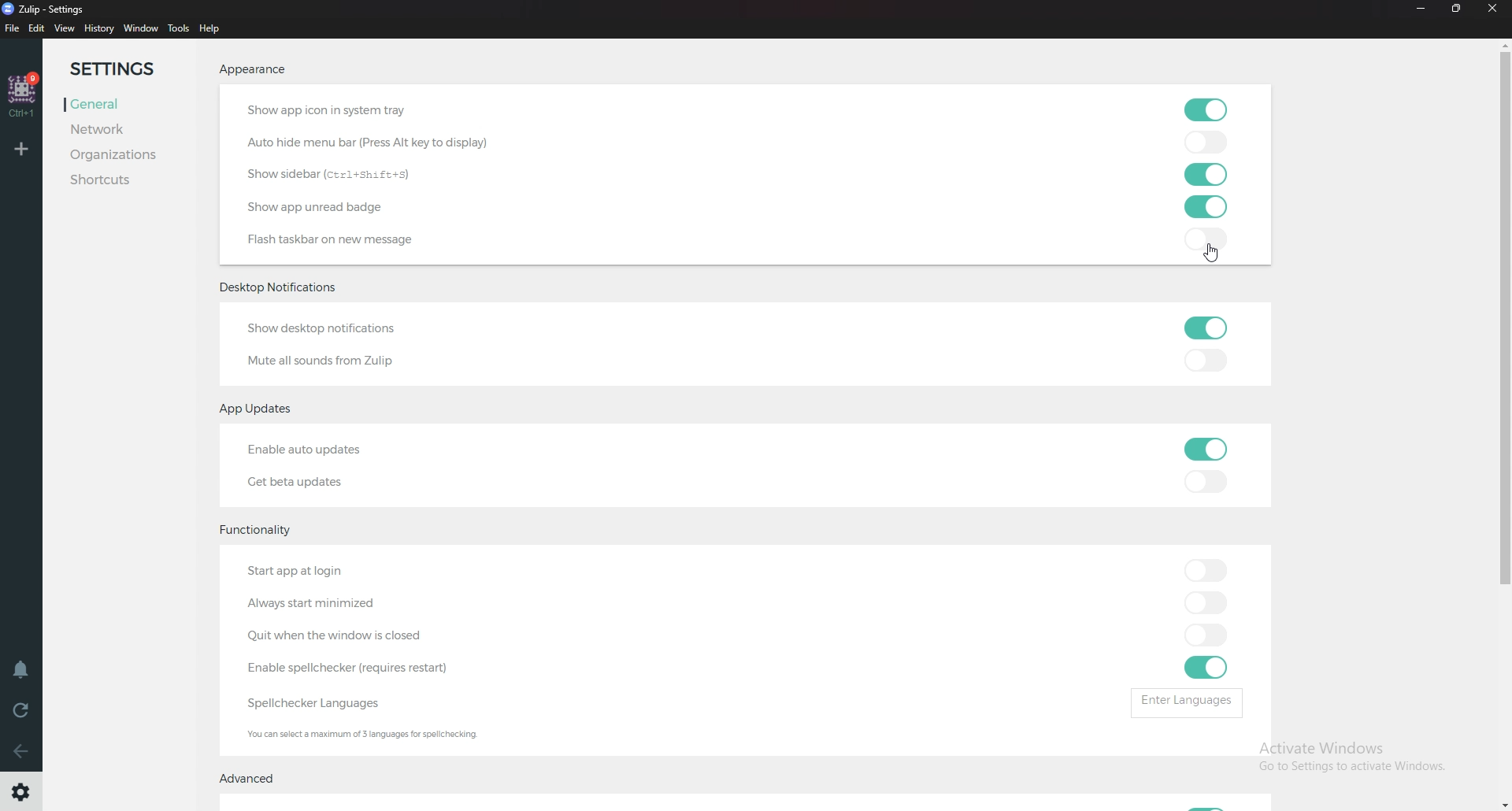 Image resolution: width=1512 pixels, height=811 pixels. What do you see at coordinates (254, 69) in the screenshot?
I see `appearance` at bounding box center [254, 69].